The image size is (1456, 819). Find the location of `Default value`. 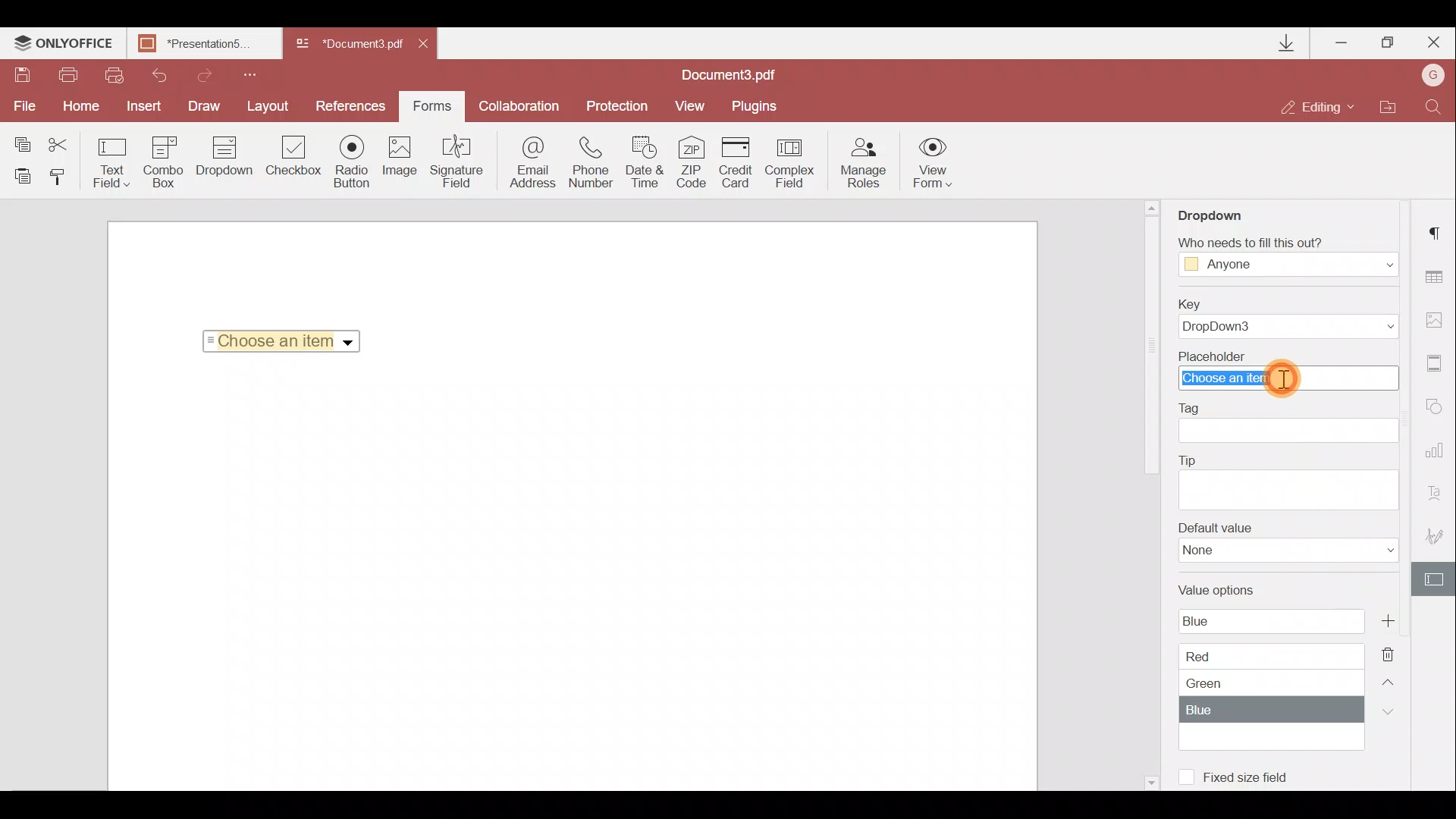

Default value is located at coordinates (1282, 547).